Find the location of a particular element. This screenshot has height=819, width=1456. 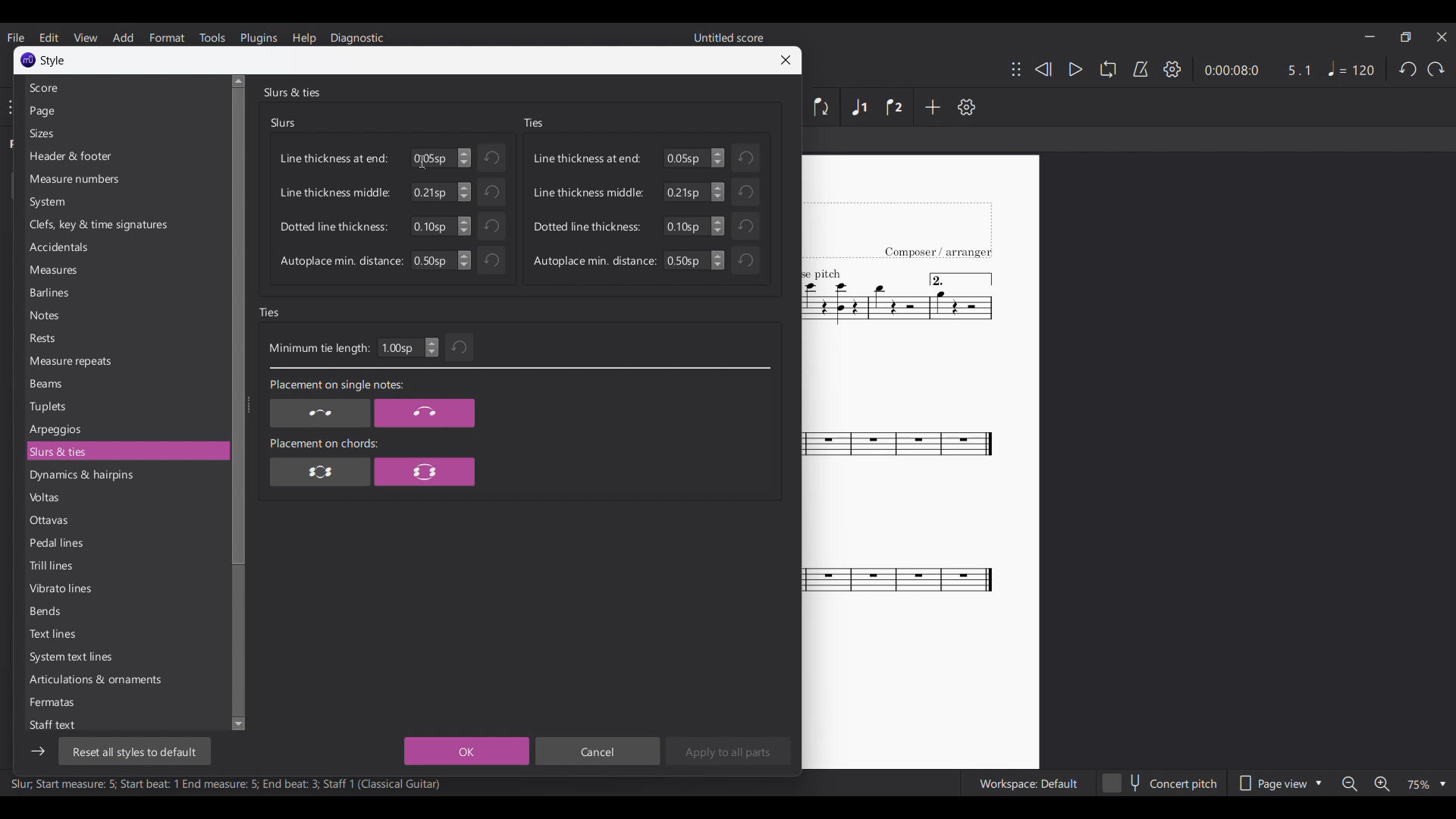

Minimize is located at coordinates (1370, 36).